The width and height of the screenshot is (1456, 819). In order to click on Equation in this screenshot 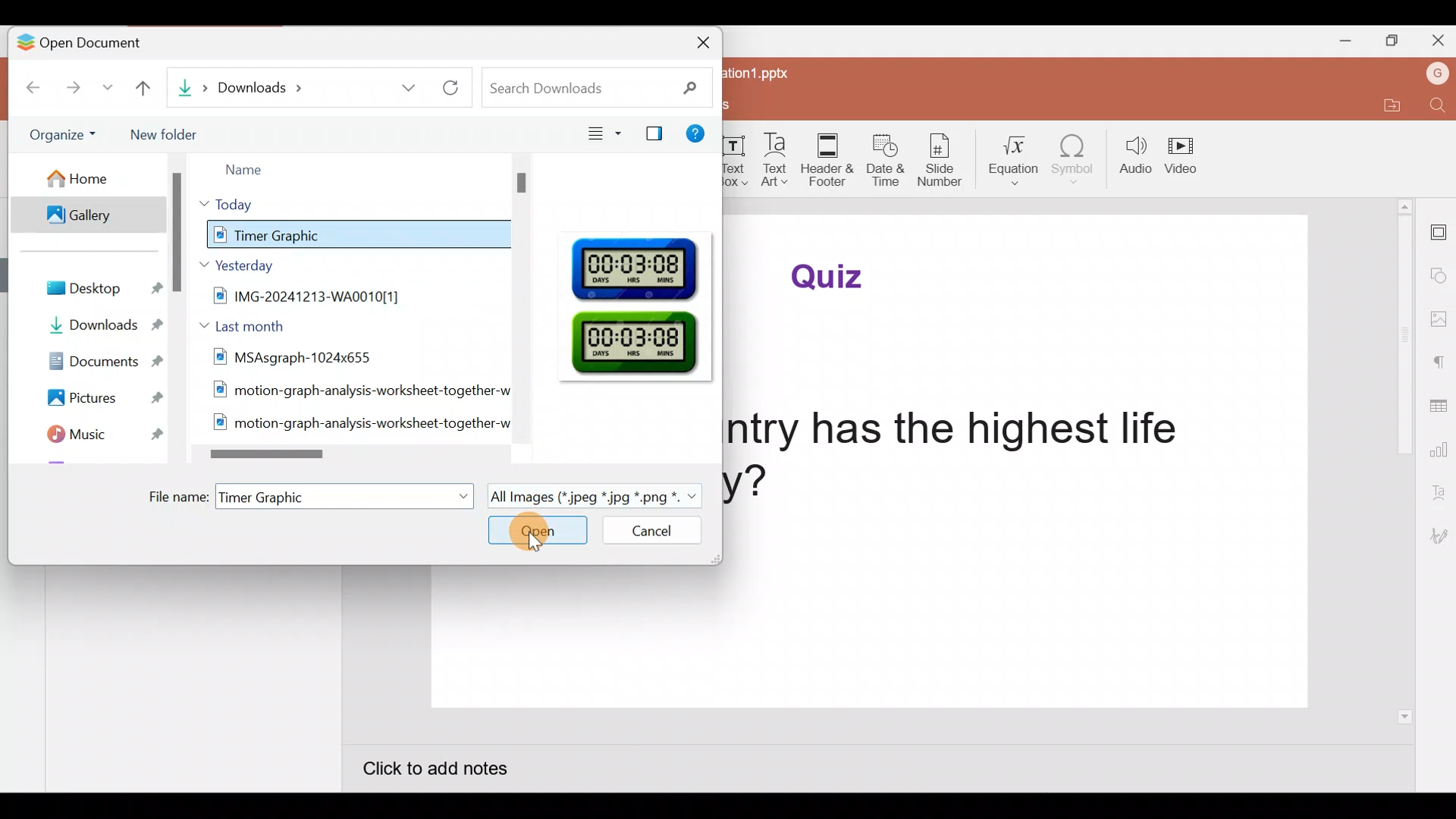, I will do `click(1013, 159)`.